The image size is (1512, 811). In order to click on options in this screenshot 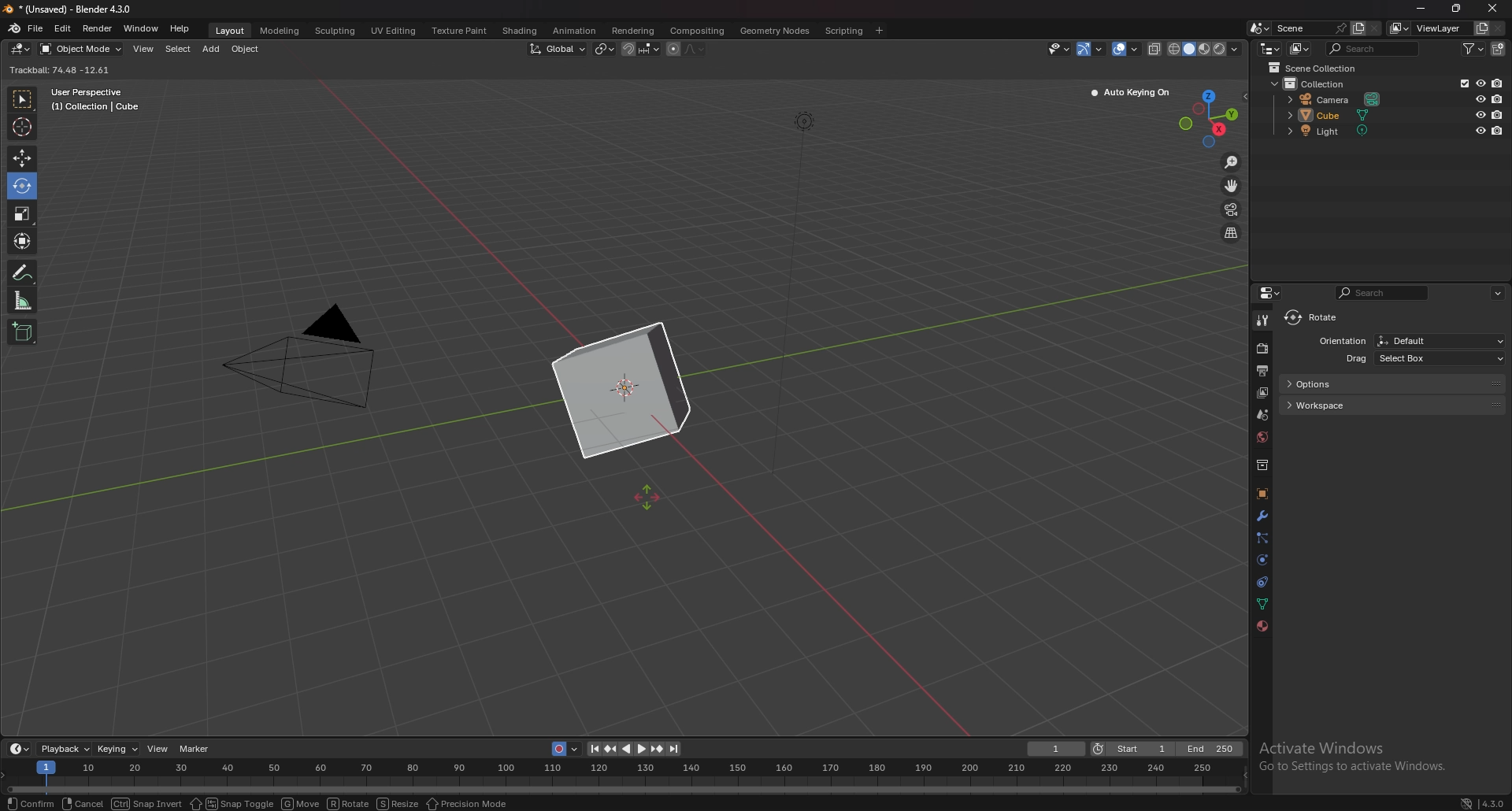, I will do `click(1218, 69)`.